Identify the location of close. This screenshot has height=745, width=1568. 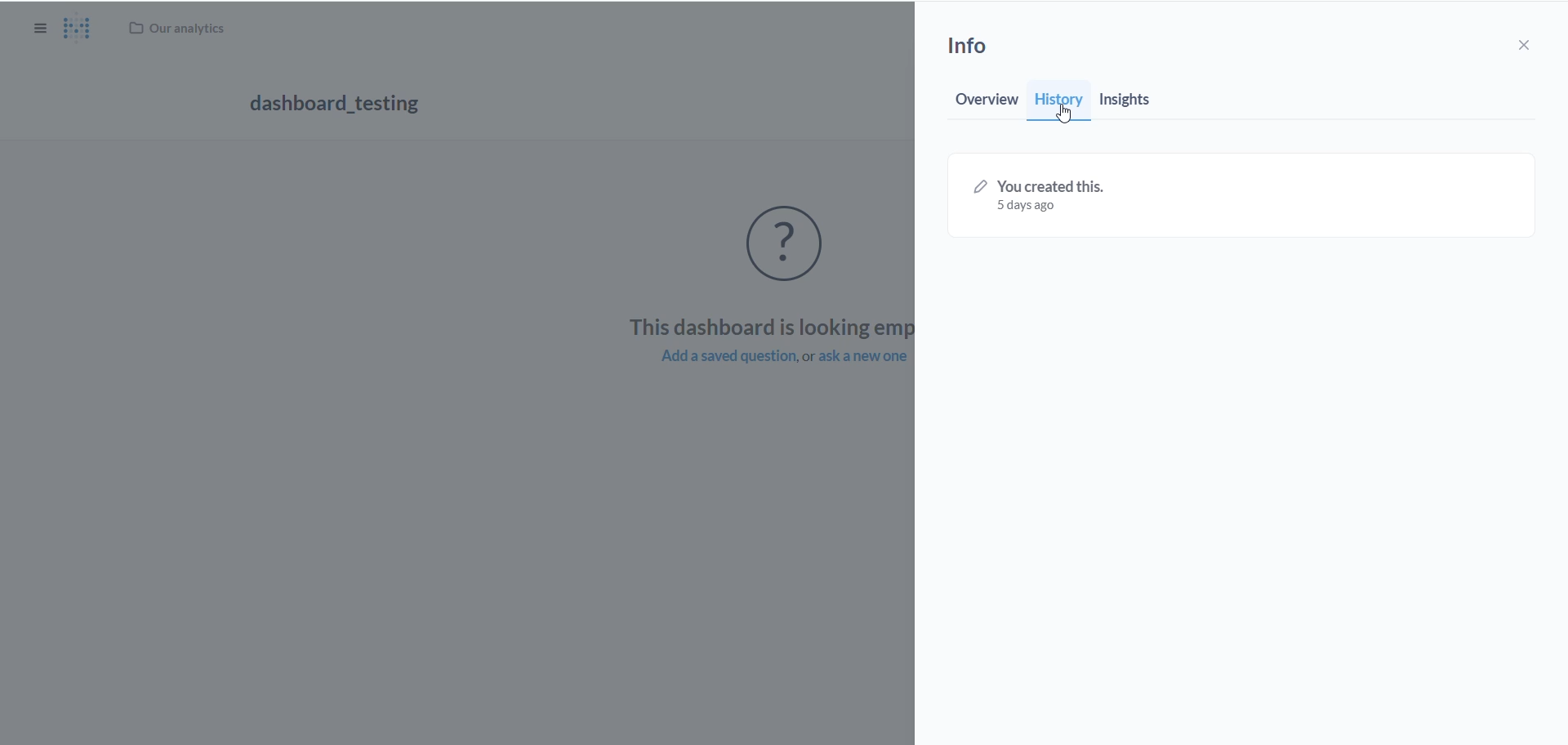
(1532, 45).